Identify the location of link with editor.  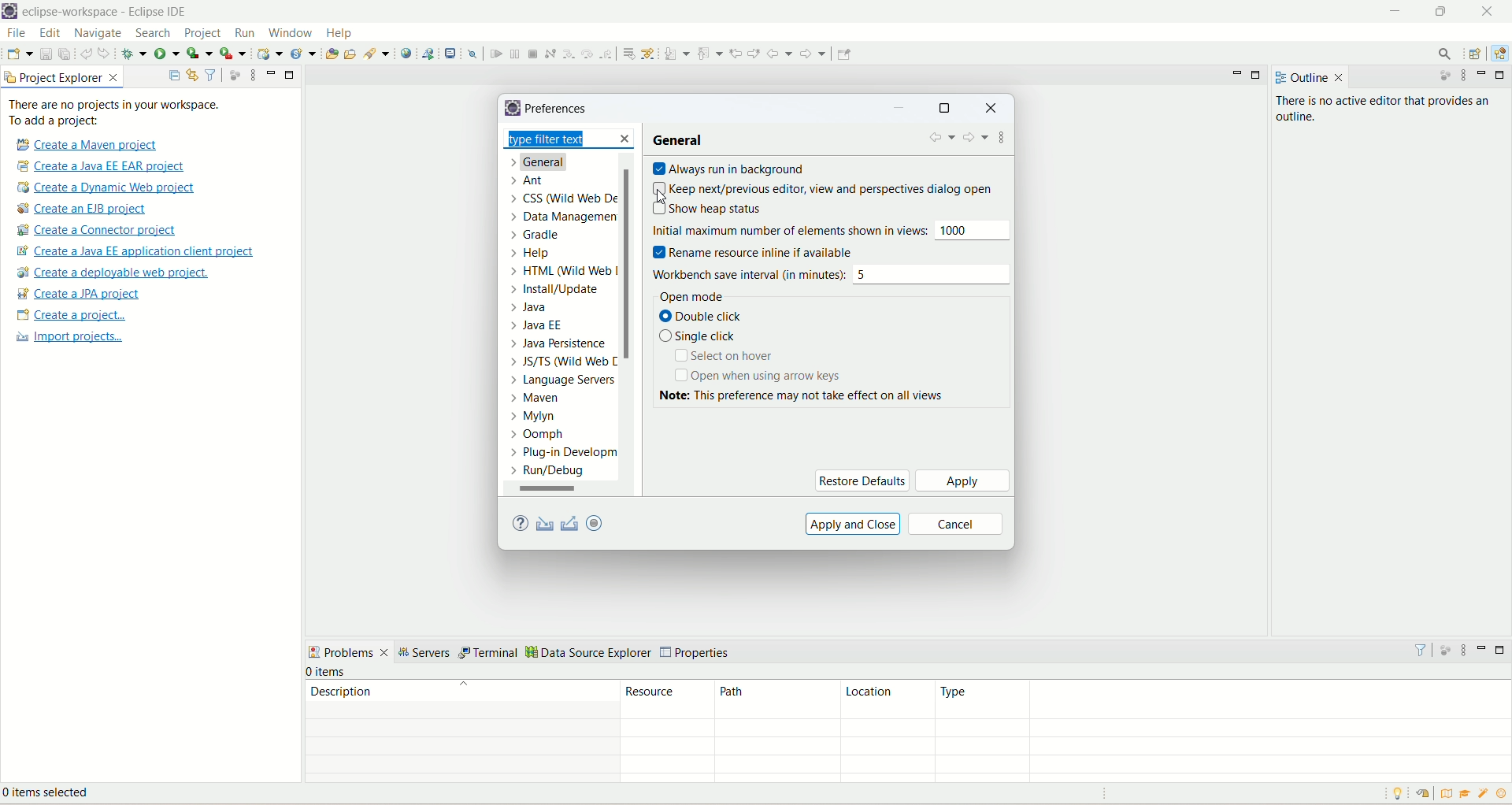
(193, 75).